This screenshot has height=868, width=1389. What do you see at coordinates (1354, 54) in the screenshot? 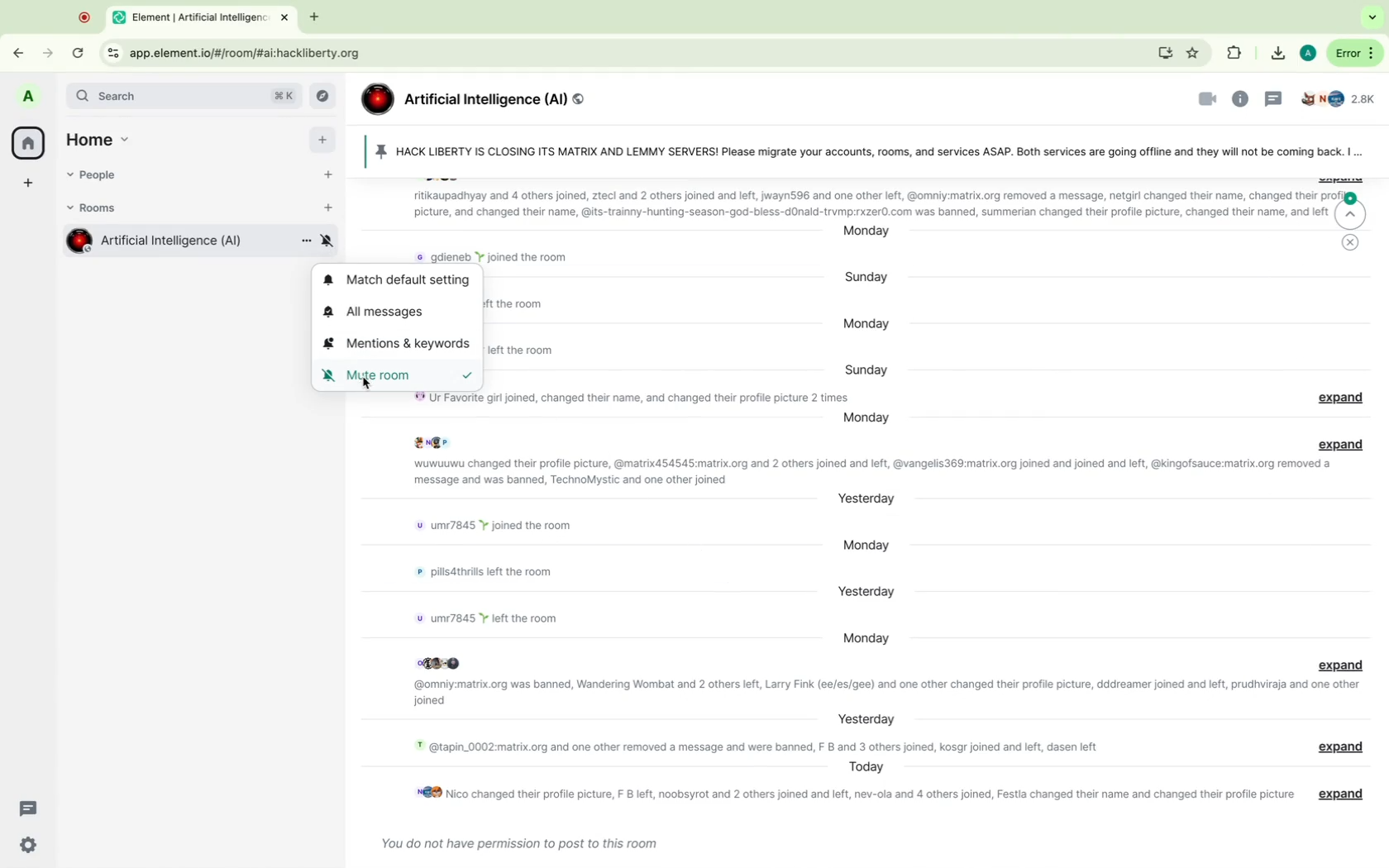
I see `more` at bounding box center [1354, 54].